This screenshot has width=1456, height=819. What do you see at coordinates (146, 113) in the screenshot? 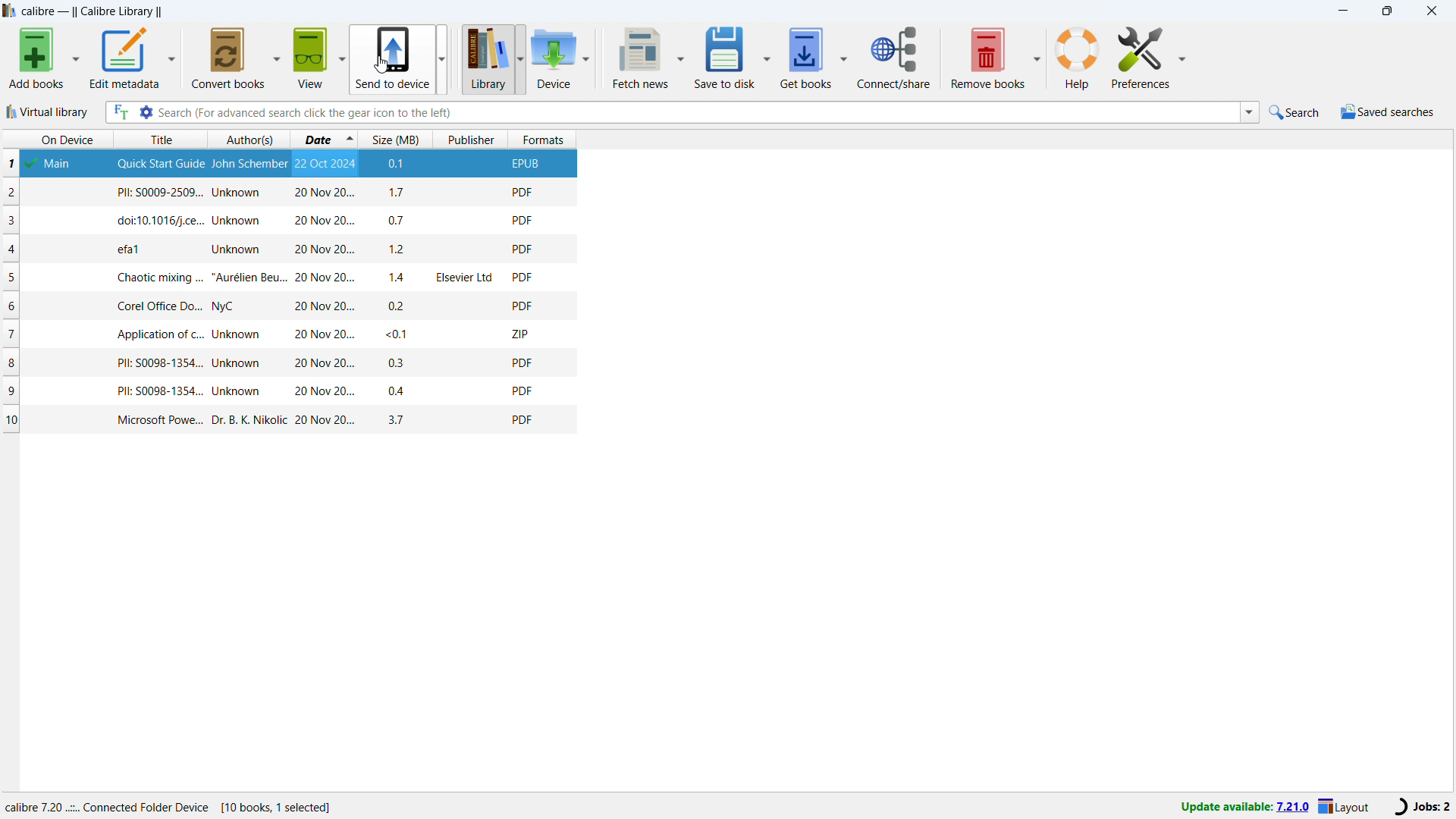
I see `advanced search` at bounding box center [146, 113].